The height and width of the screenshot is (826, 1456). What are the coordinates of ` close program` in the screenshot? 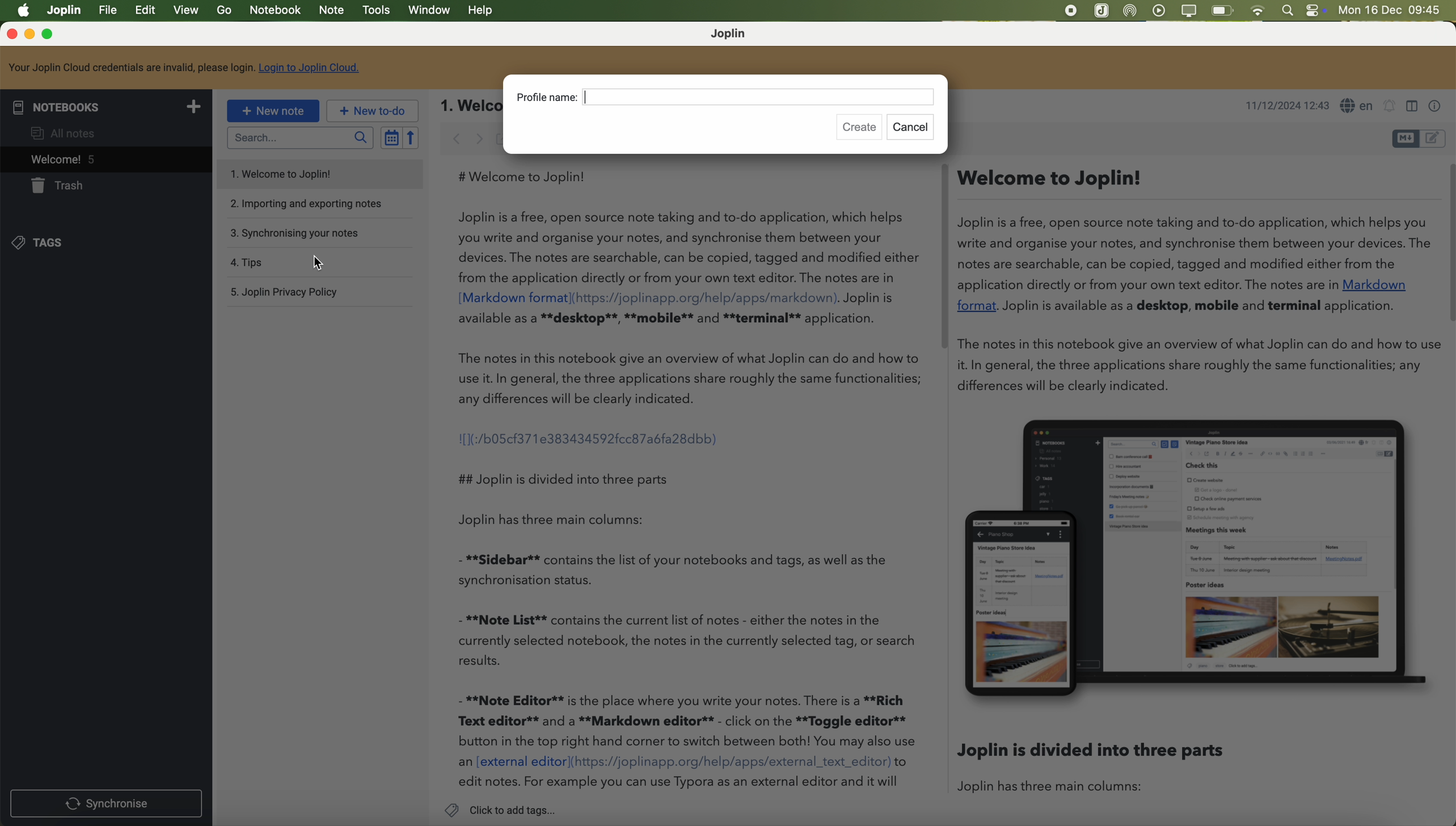 It's located at (10, 34).